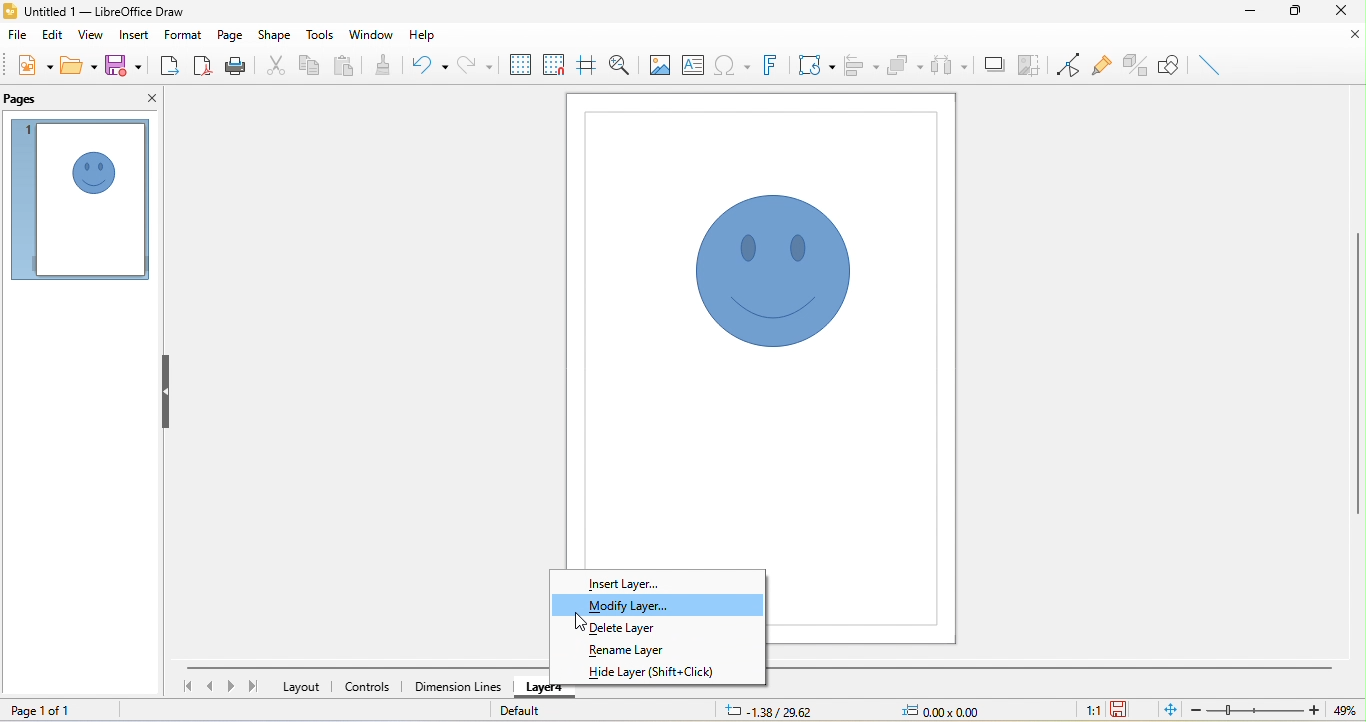 This screenshot has height=722, width=1366. What do you see at coordinates (34, 68) in the screenshot?
I see `new` at bounding box center [34, 68].